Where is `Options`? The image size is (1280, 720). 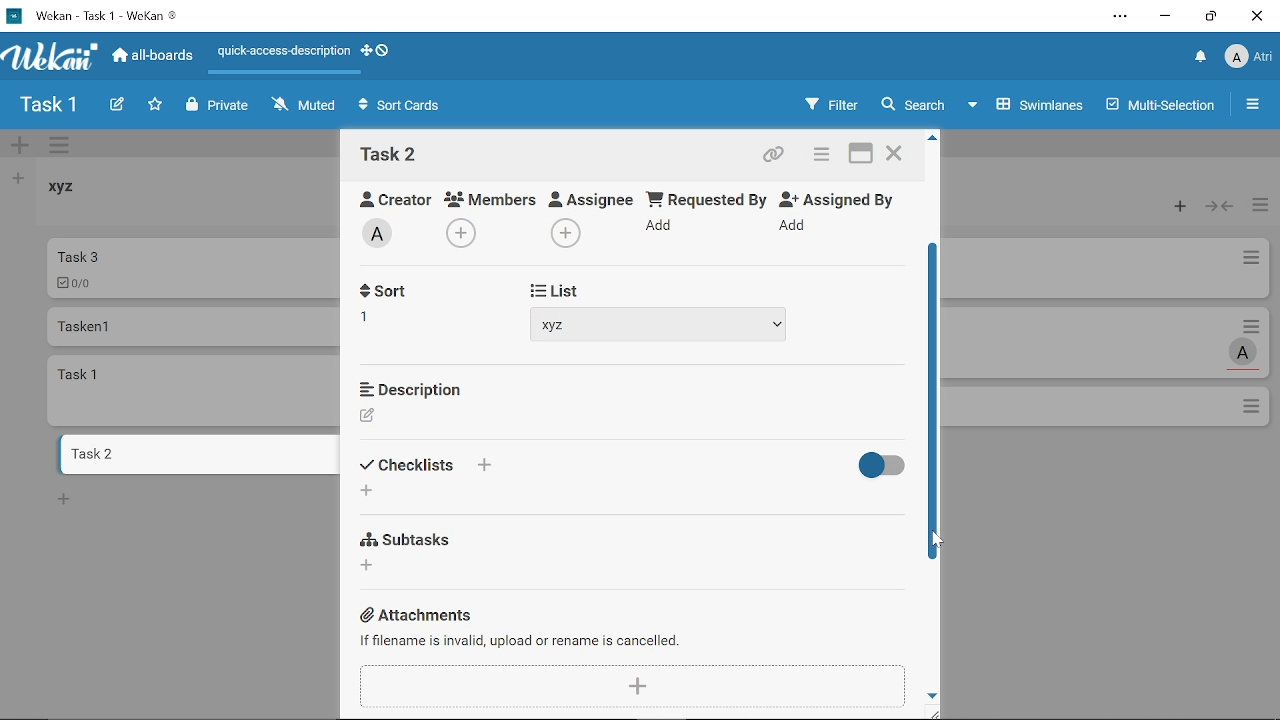
Options is located at coordinates (1253, 408).